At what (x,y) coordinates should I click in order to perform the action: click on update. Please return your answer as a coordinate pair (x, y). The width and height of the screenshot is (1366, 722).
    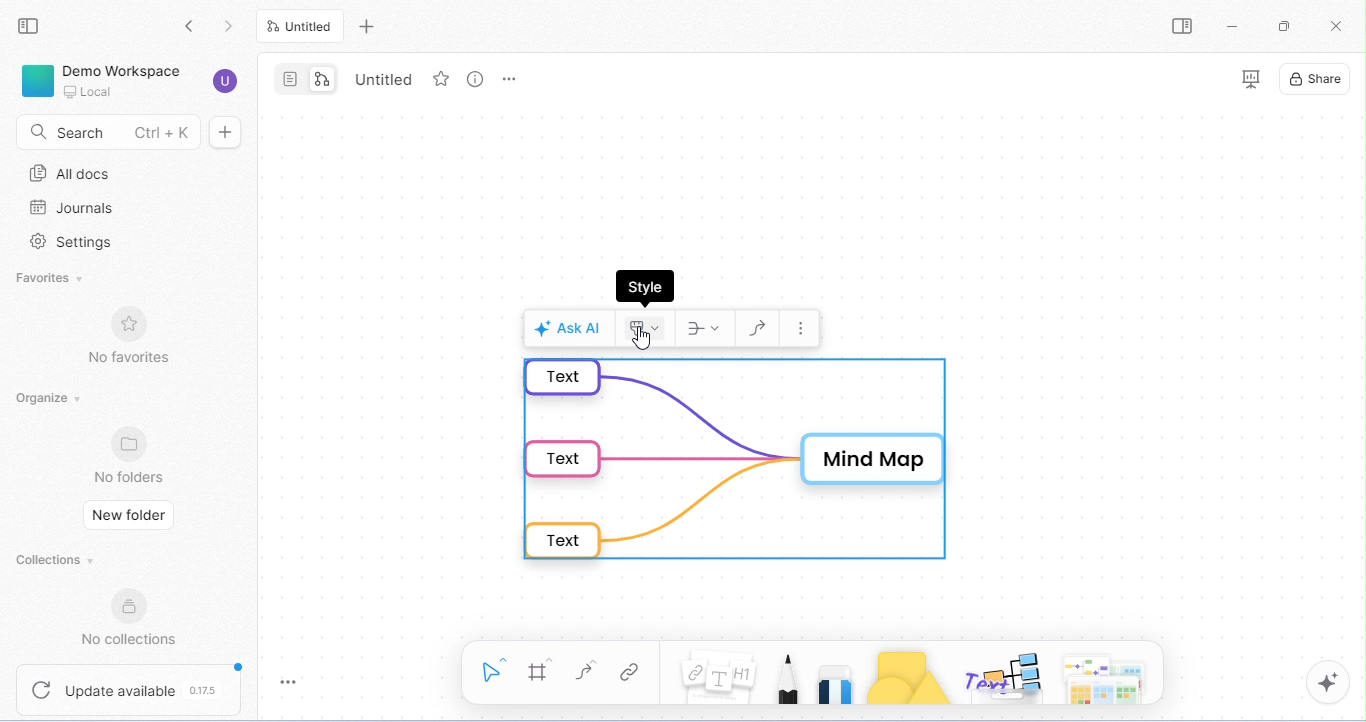
    Looking at the image, I should click on (131, 689).